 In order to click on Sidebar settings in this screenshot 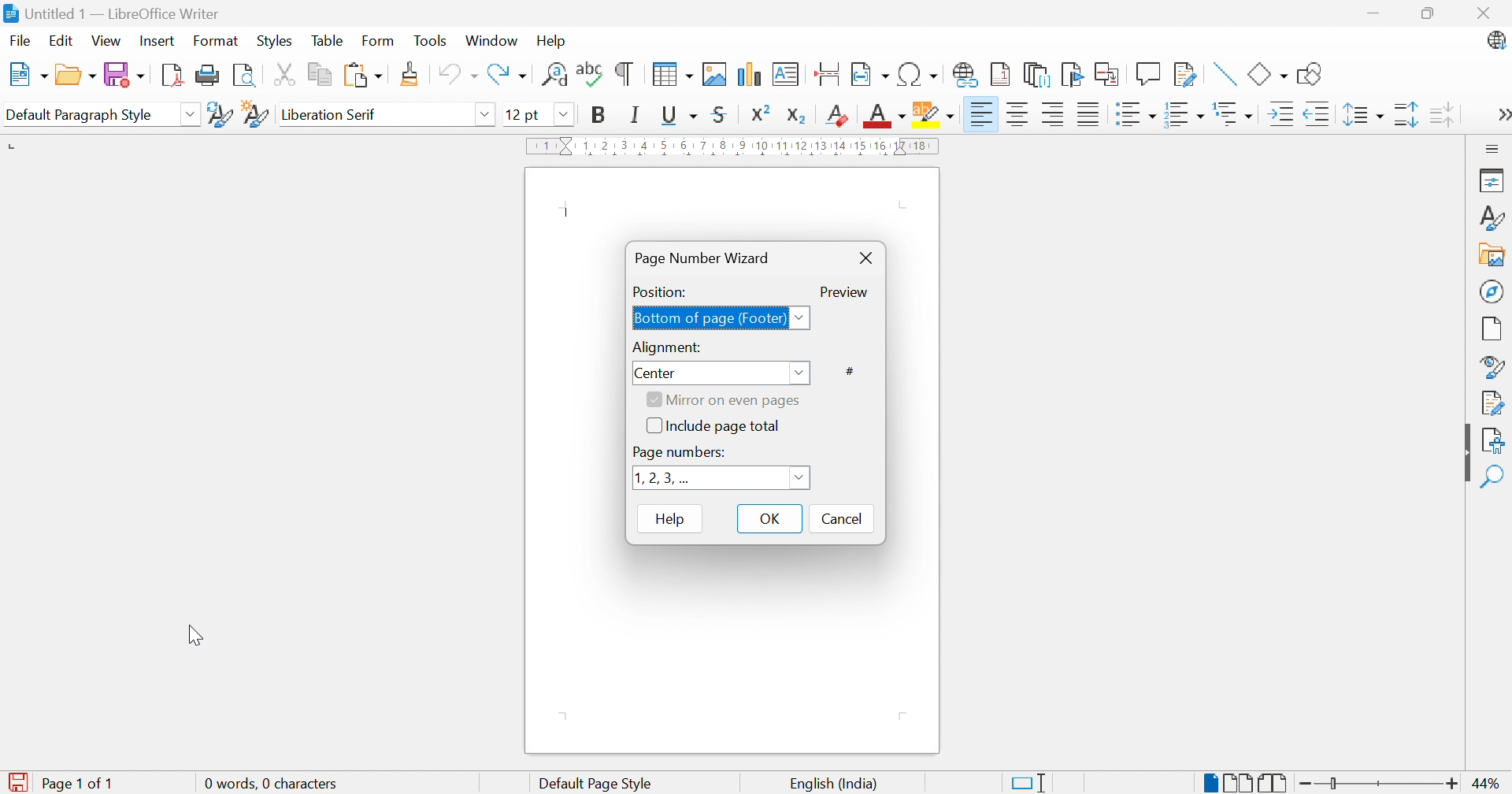, I will do `click(1495, 147)`.